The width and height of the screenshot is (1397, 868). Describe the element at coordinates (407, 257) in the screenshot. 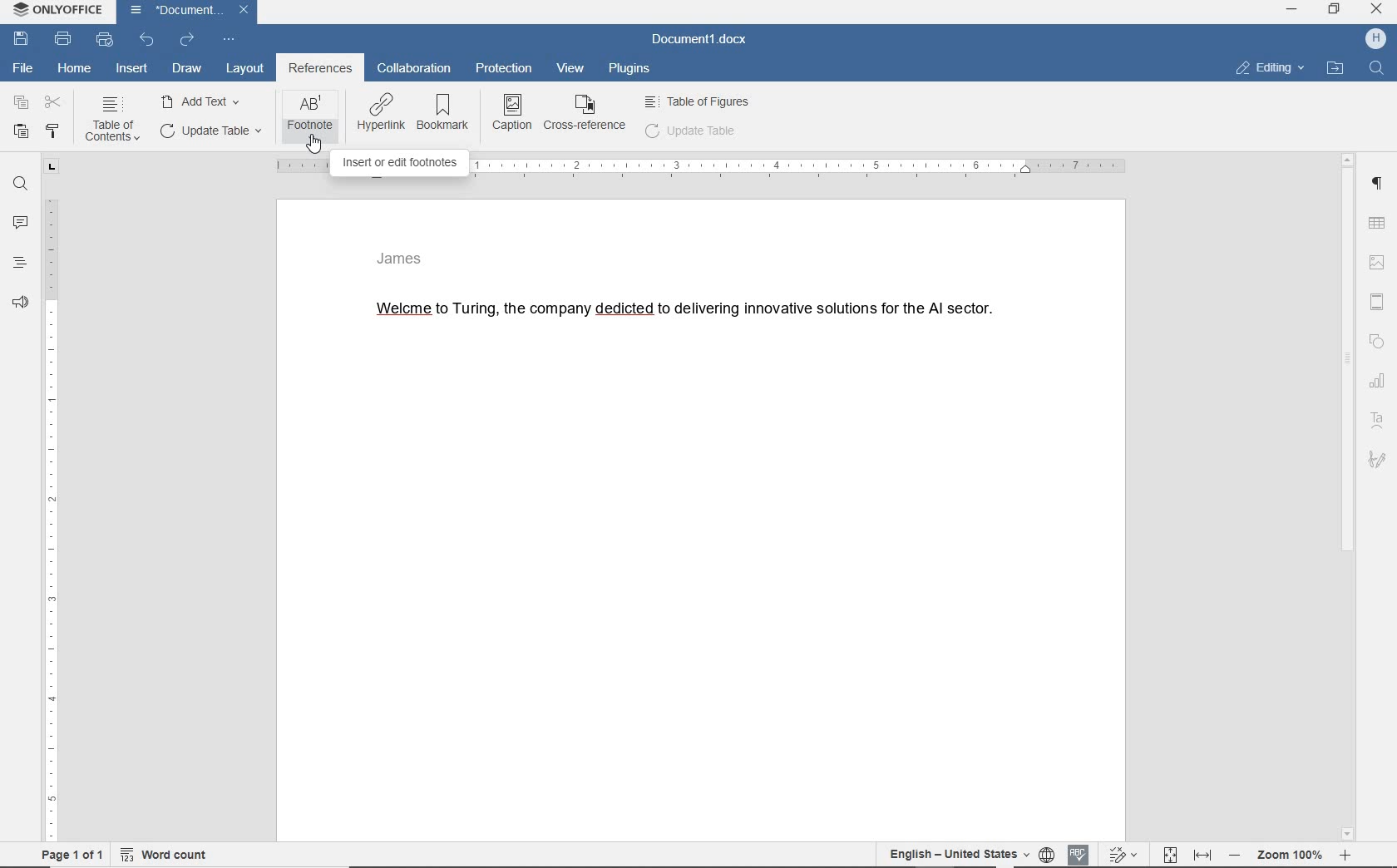

I see `header text` at that location.